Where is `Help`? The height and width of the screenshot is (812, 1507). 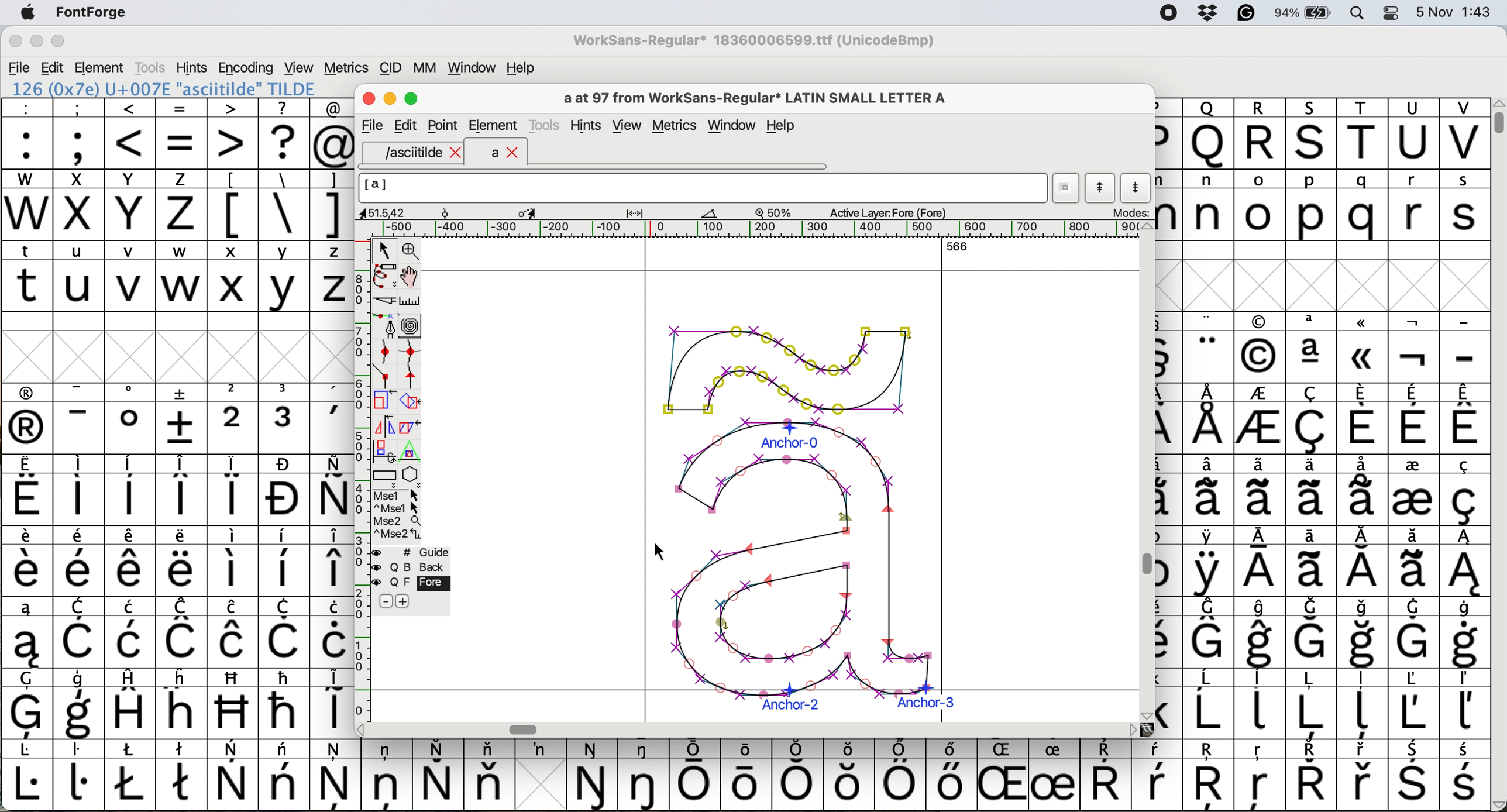 Help is located at coordinates (780, 127).